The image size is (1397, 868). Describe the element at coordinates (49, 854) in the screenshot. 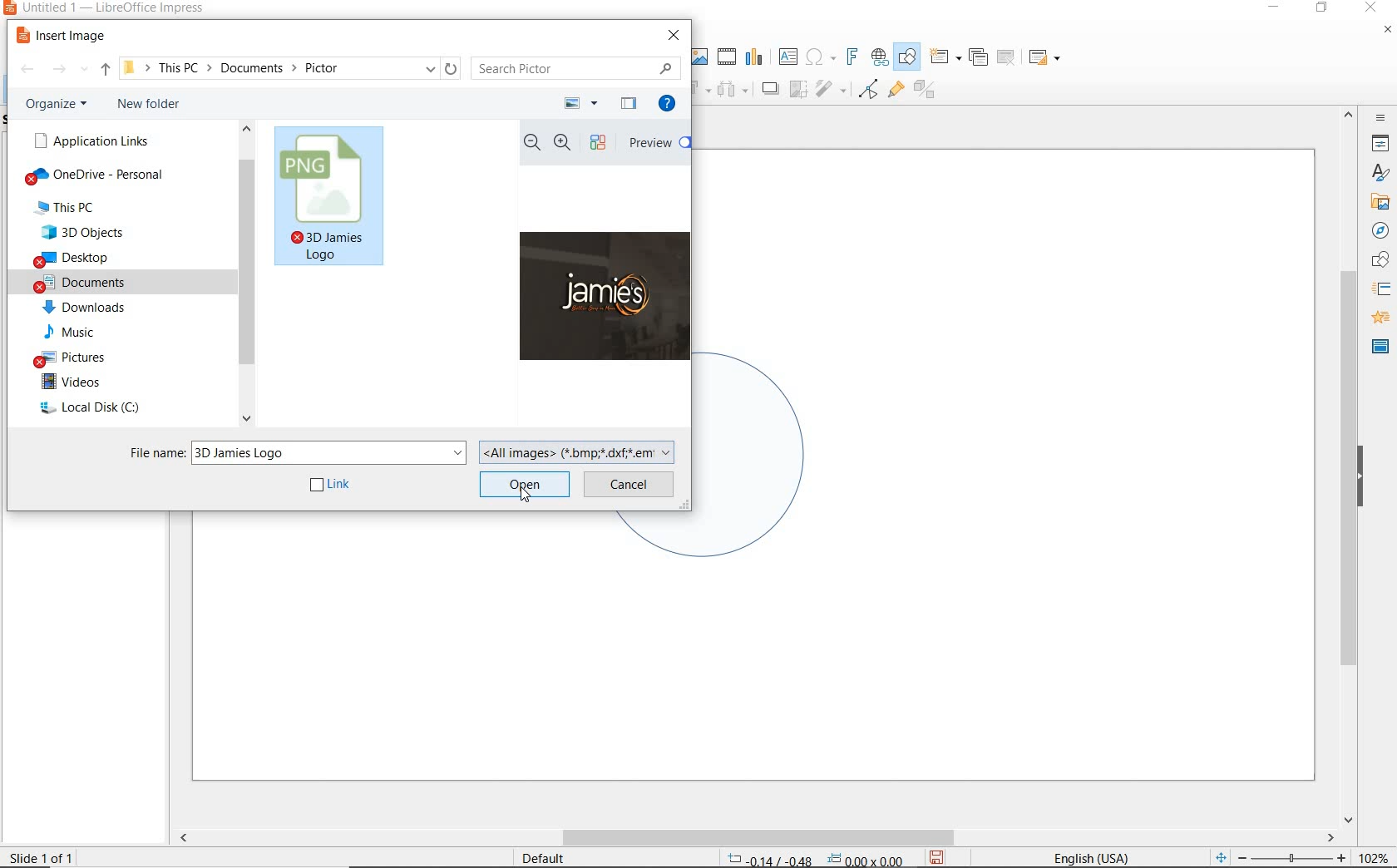

I see `slide 1 of 1` at that location.